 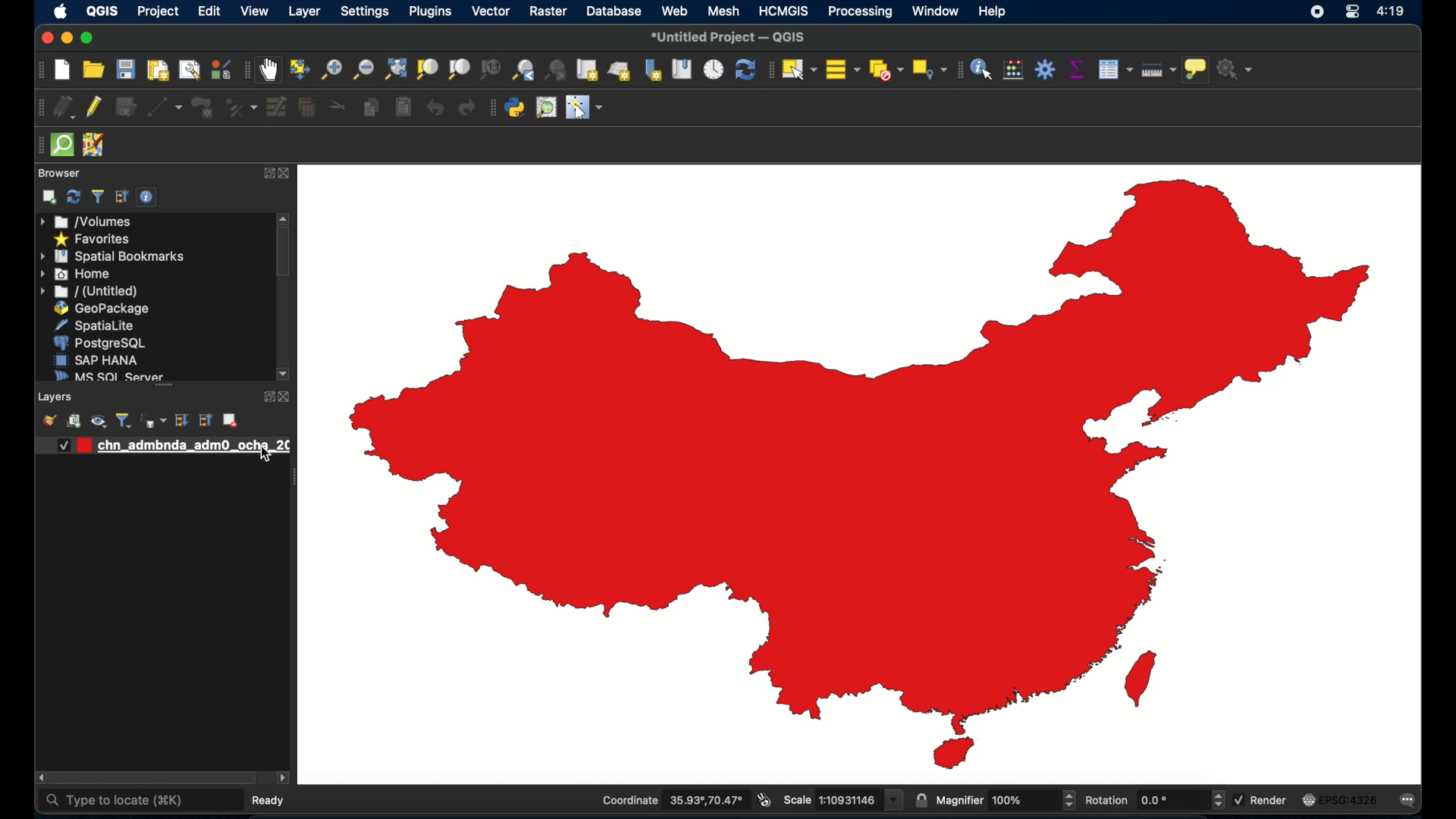 I want to click on untitled menu, so click(x=87, y=291).